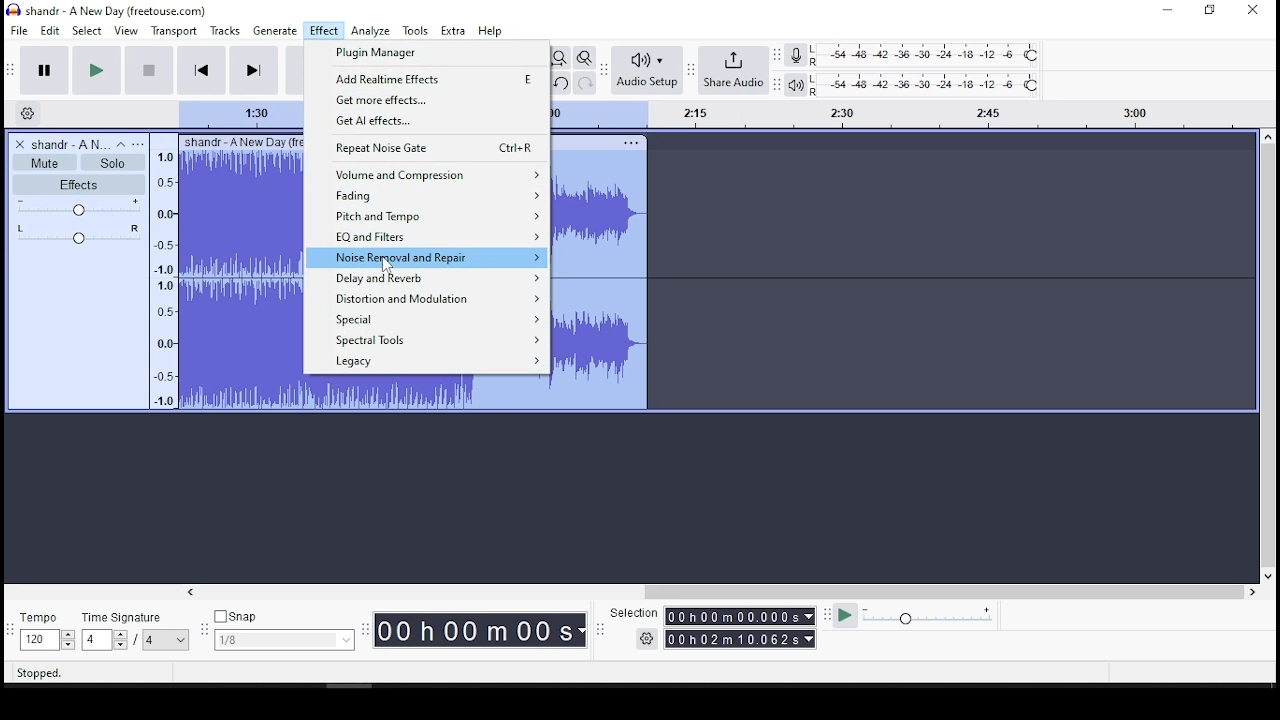 The width and height of the screenshot is (1280, 720). Describe the element at coordinates (283, 631) in the screenshot. I see `snap` at that location.